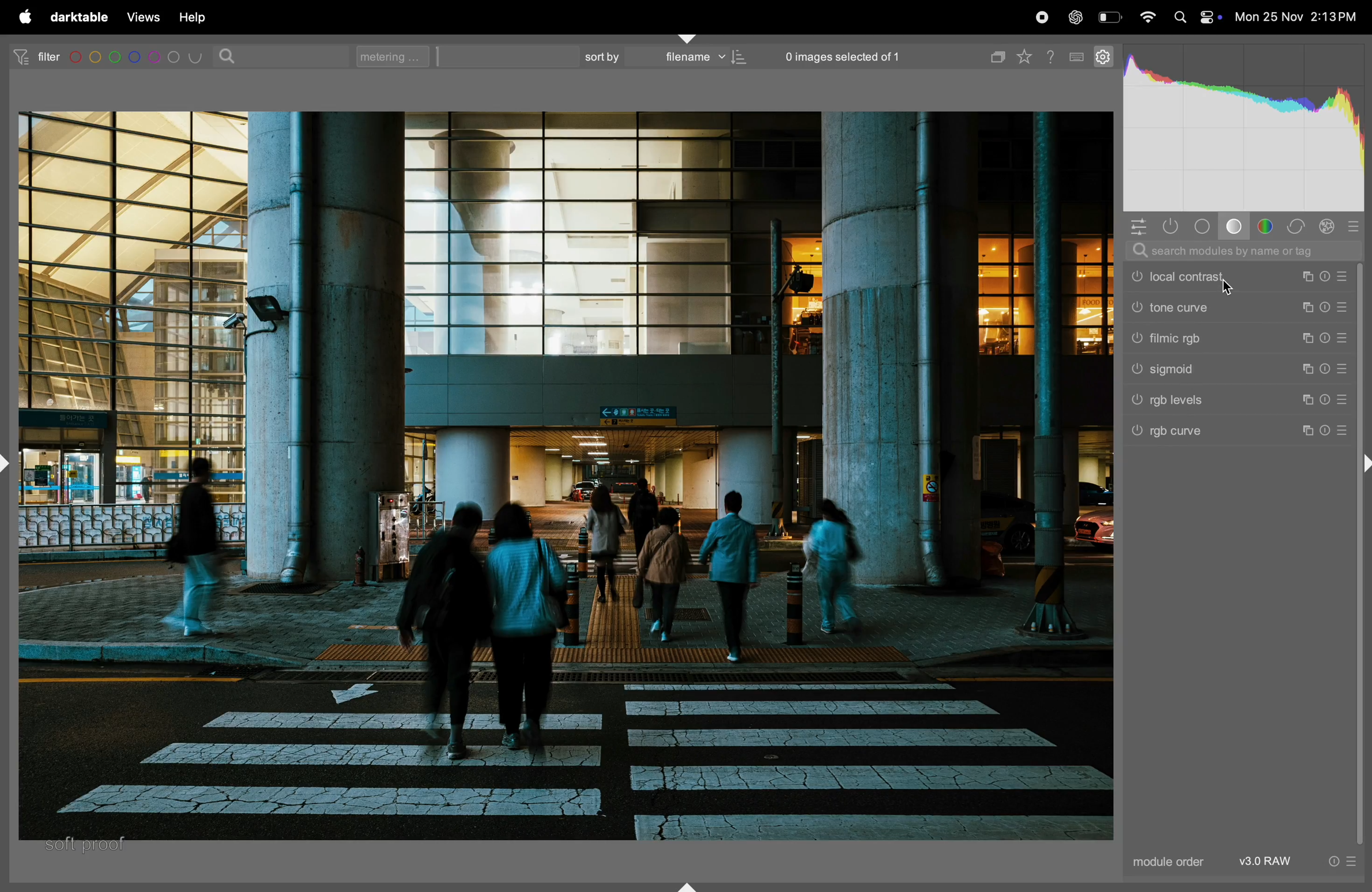 The image size is (1372, 892). What do you see at coordinates (1148, 19) in the screenshot?
I see `wifi` at bounding box center [1148, 19].